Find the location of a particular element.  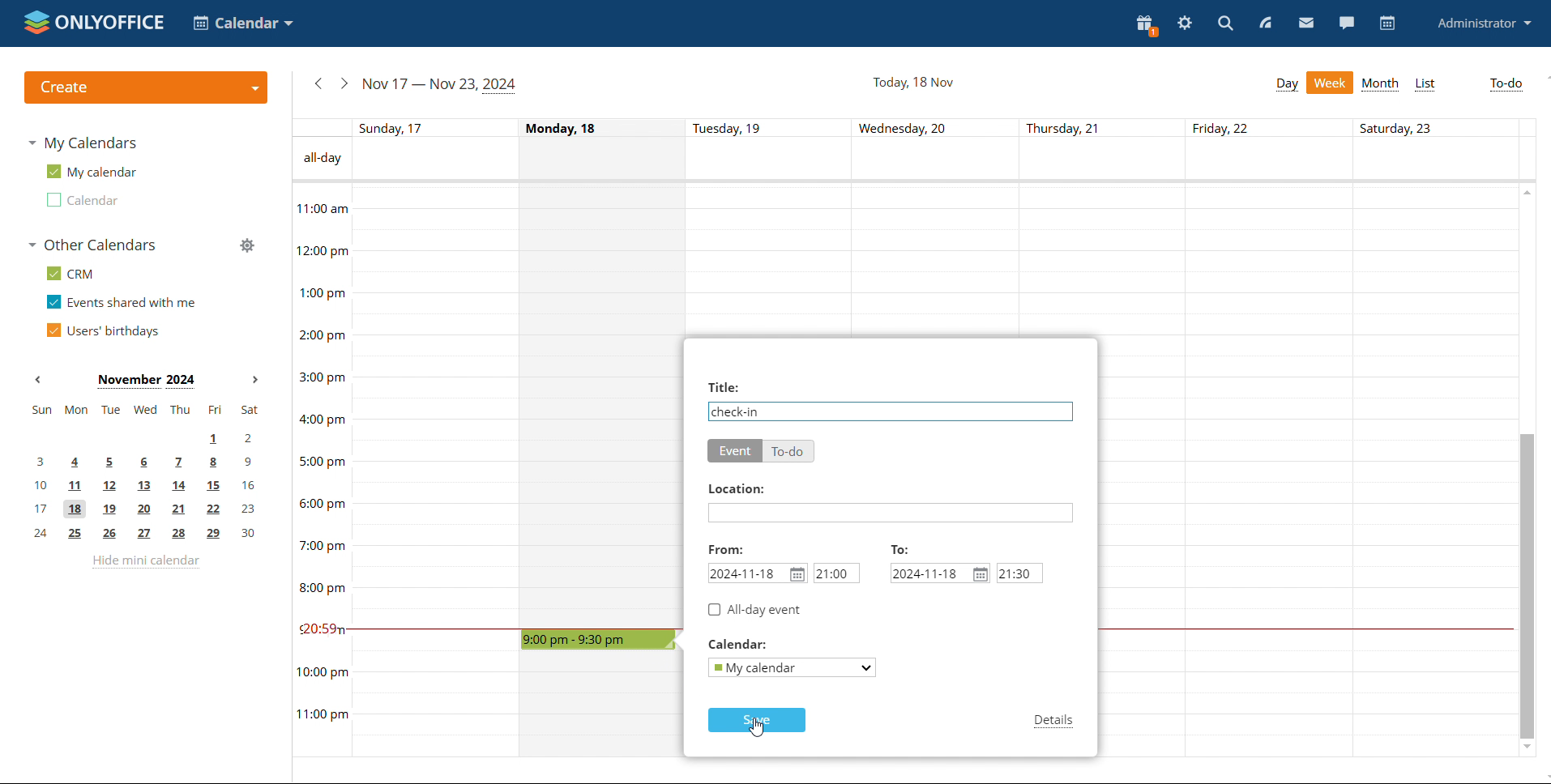

details is located at coordinates (1054, 722).